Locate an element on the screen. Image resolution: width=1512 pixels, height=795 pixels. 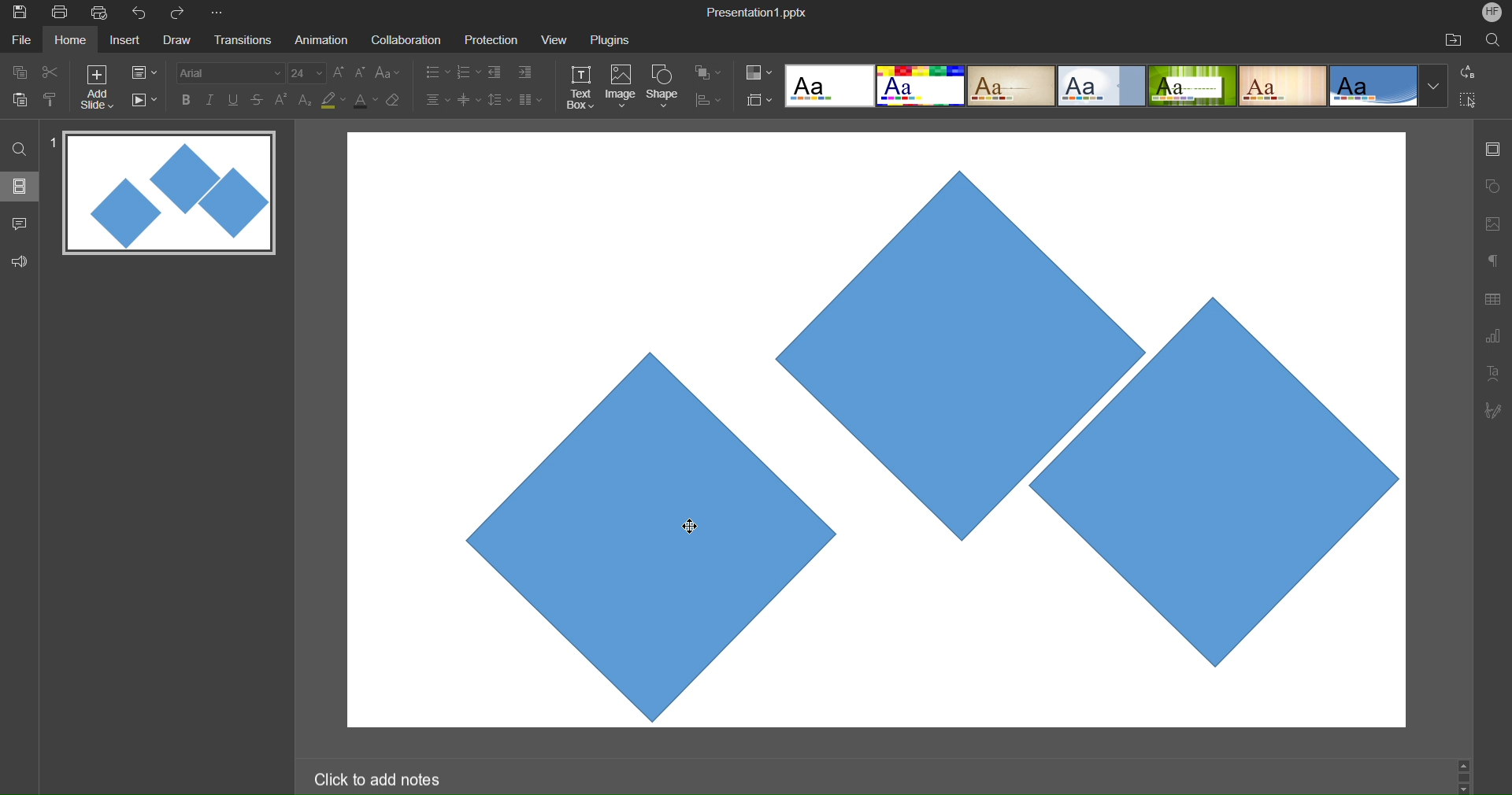
Number List is located at coordinates (467, 74).